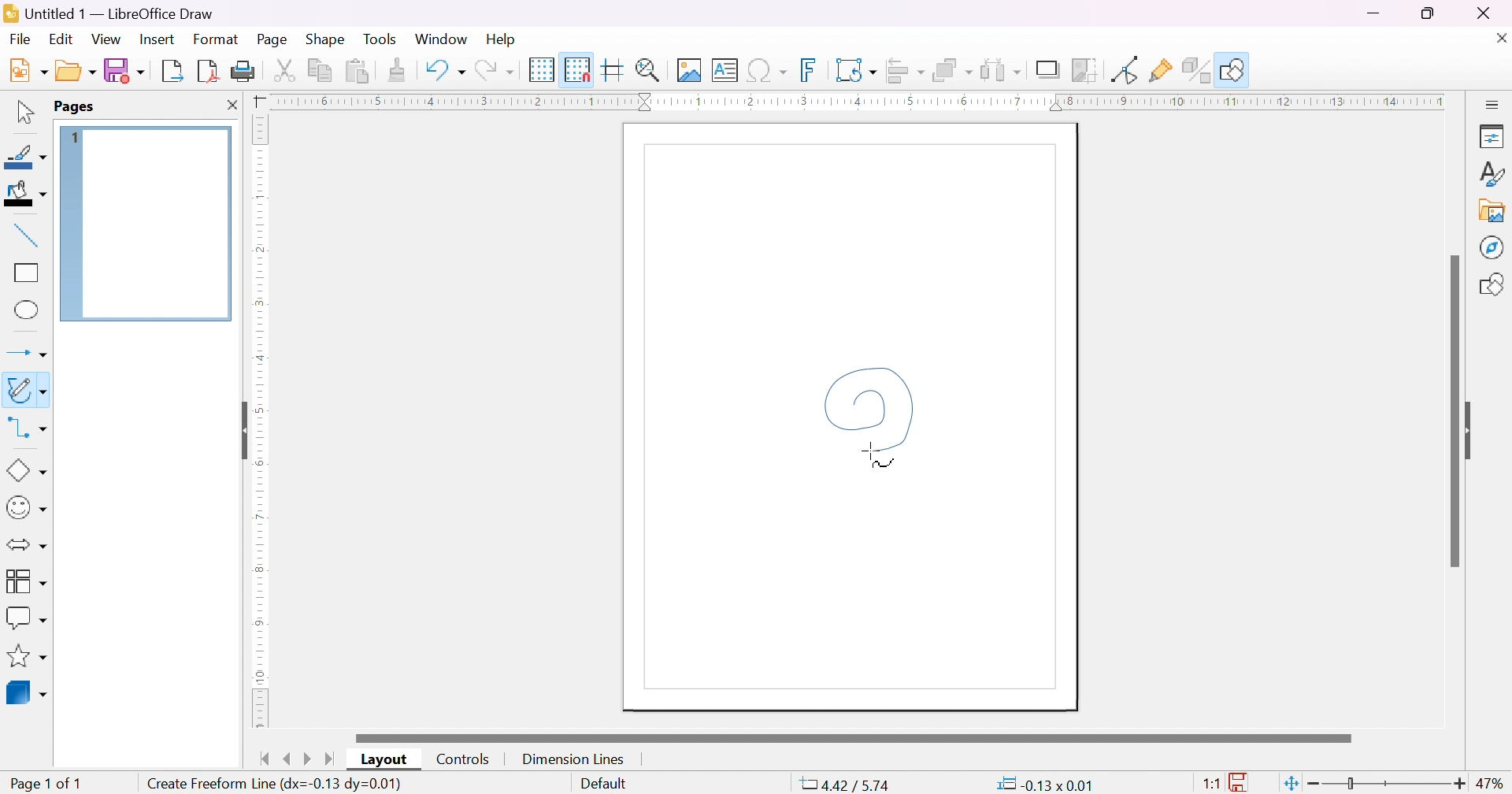  I want to click on shapes, so click(1493, 286).